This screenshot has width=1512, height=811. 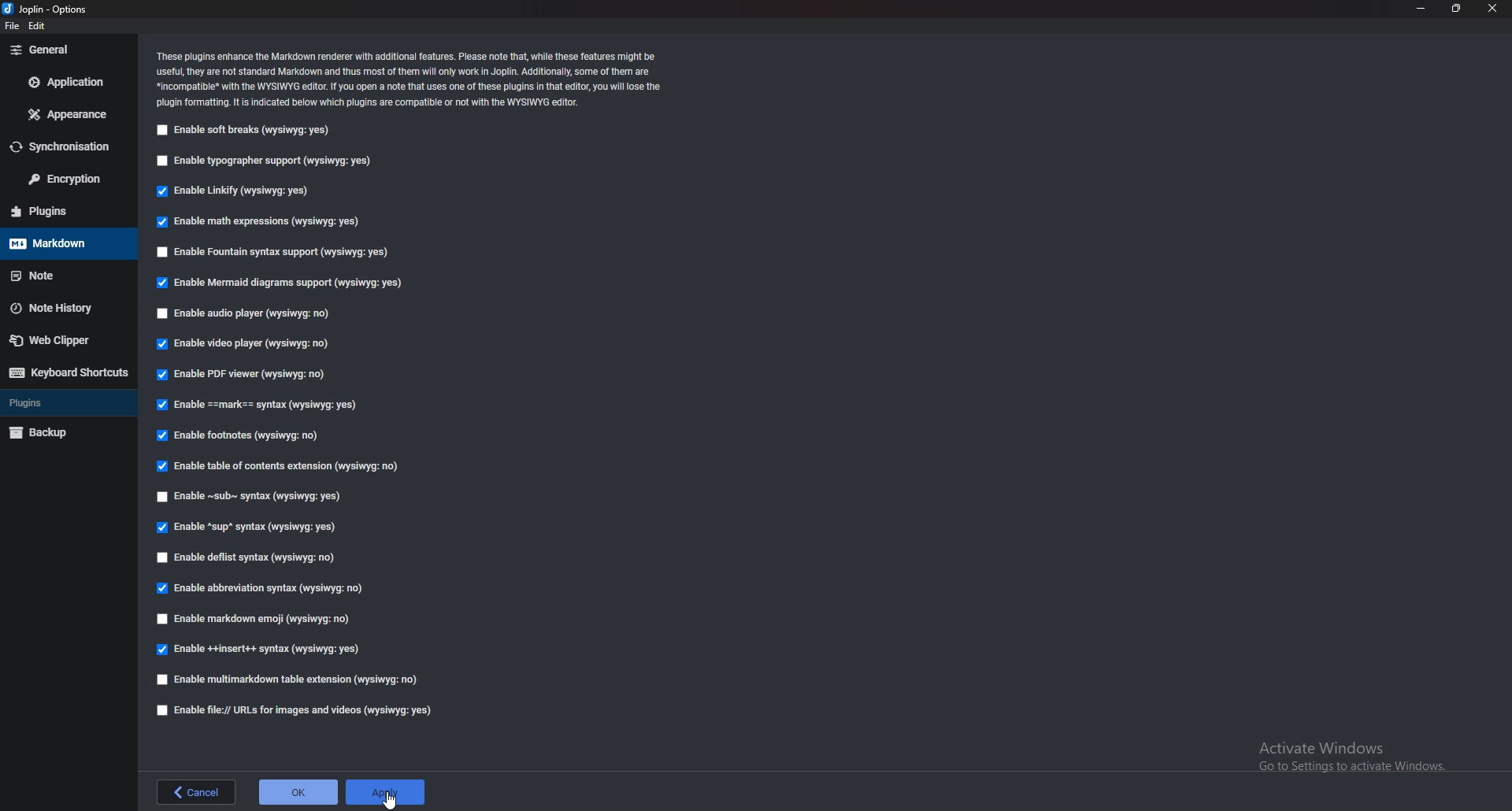 What do you see at coordinates (231, 192) in the screenshot?
I see `Enable Linkify` at bounding box center [231, 192].